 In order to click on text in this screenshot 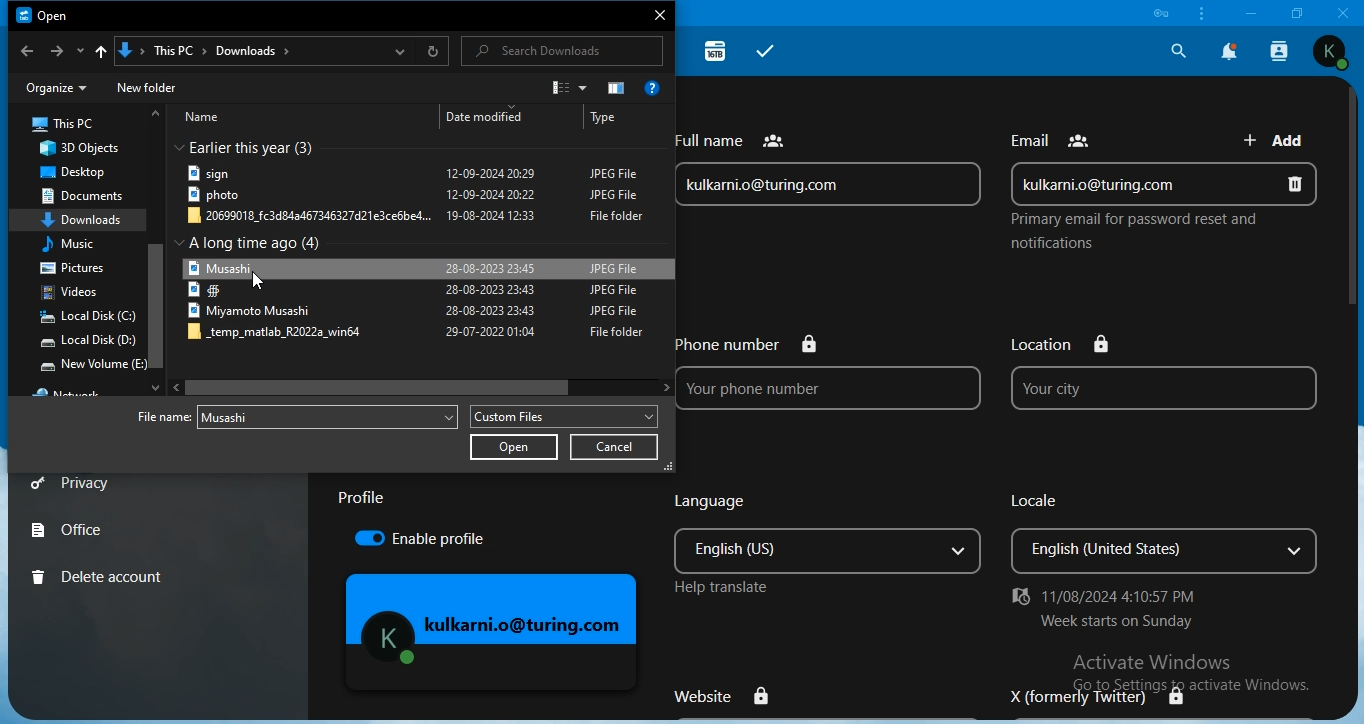, I will do `click(400, 118)`.